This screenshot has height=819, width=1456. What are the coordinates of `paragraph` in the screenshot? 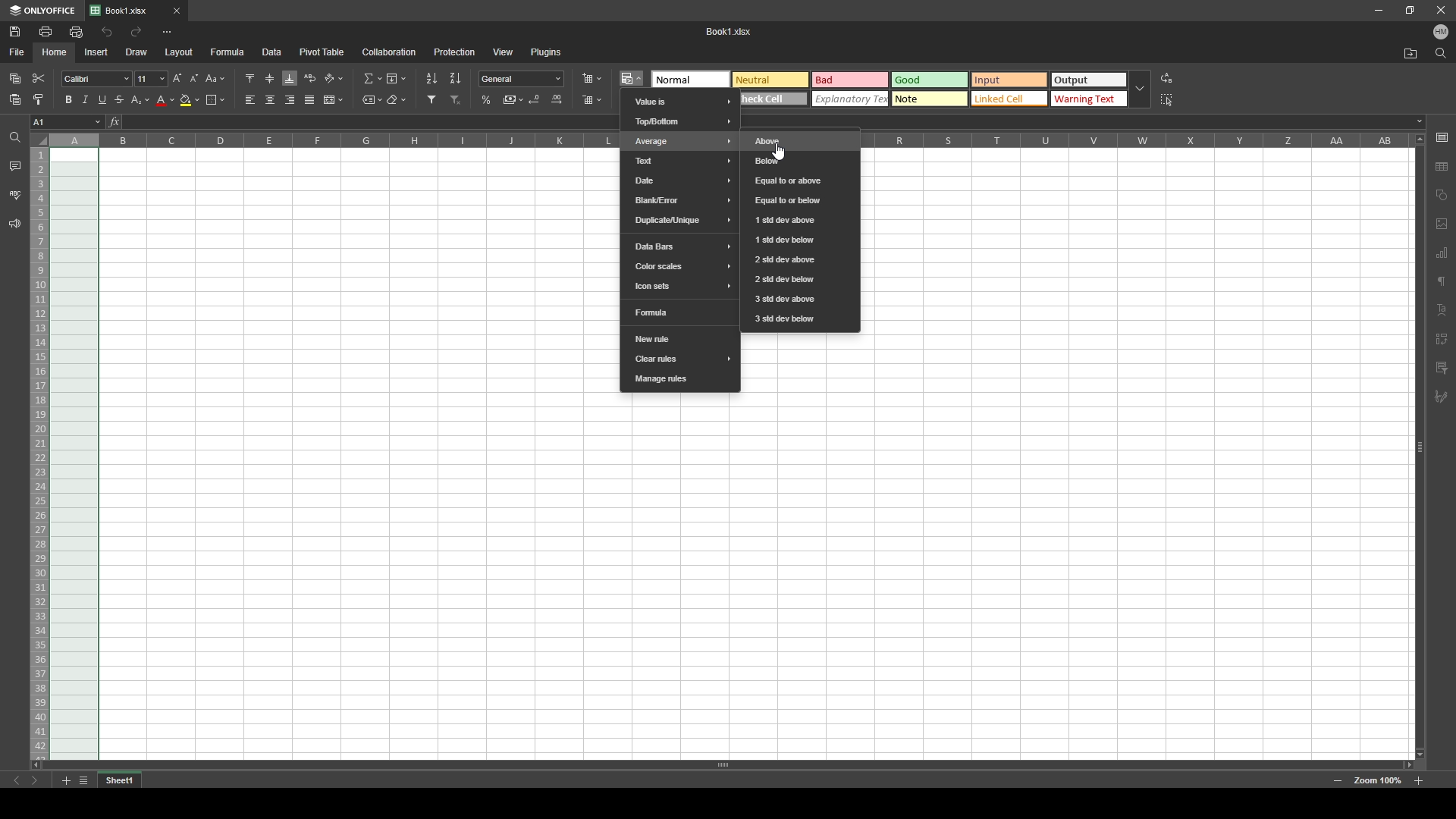 It's located at (1443, 284).